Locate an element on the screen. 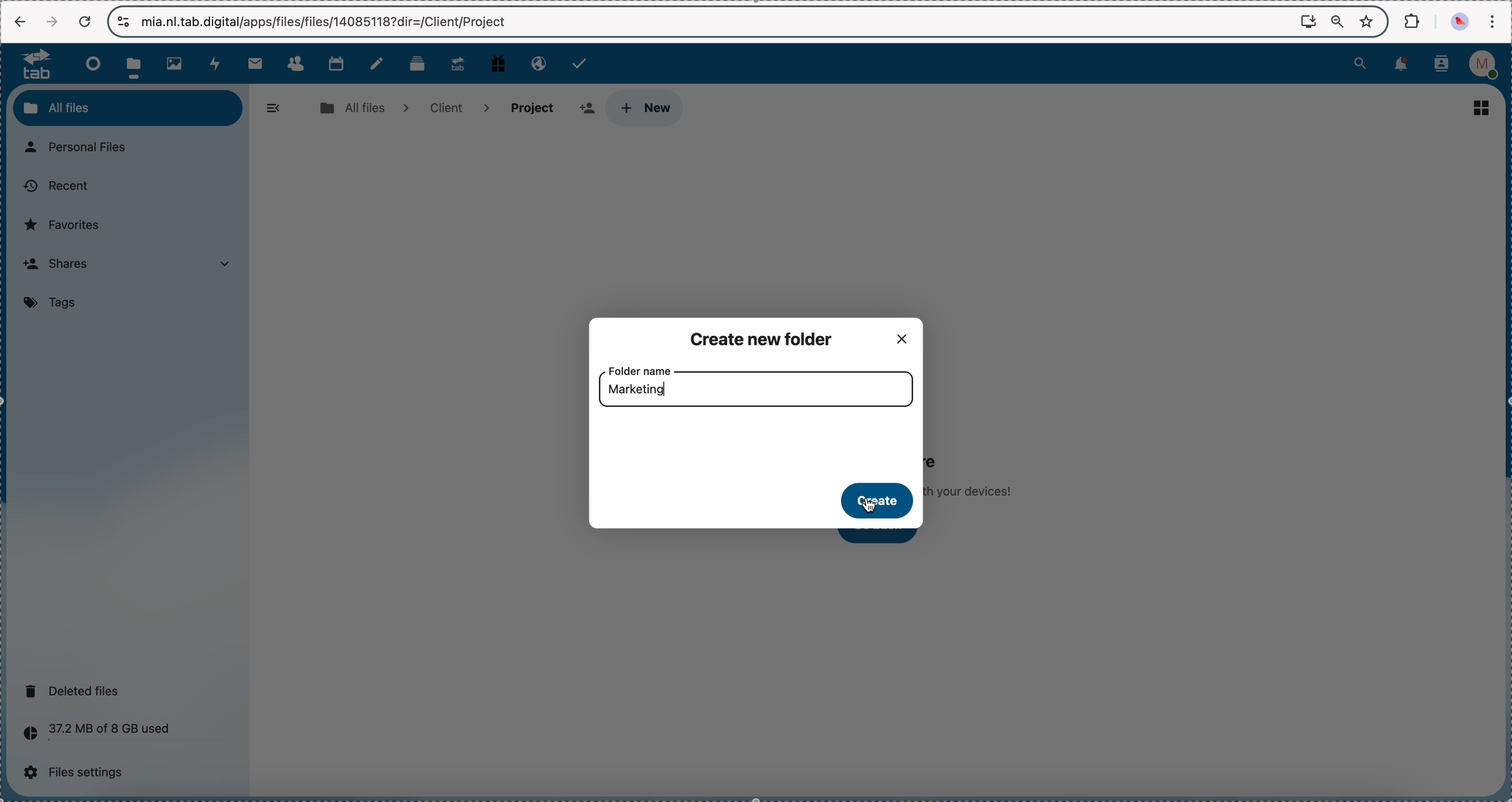  customize and control Google Chrome is located at coordinates (1491, 21).